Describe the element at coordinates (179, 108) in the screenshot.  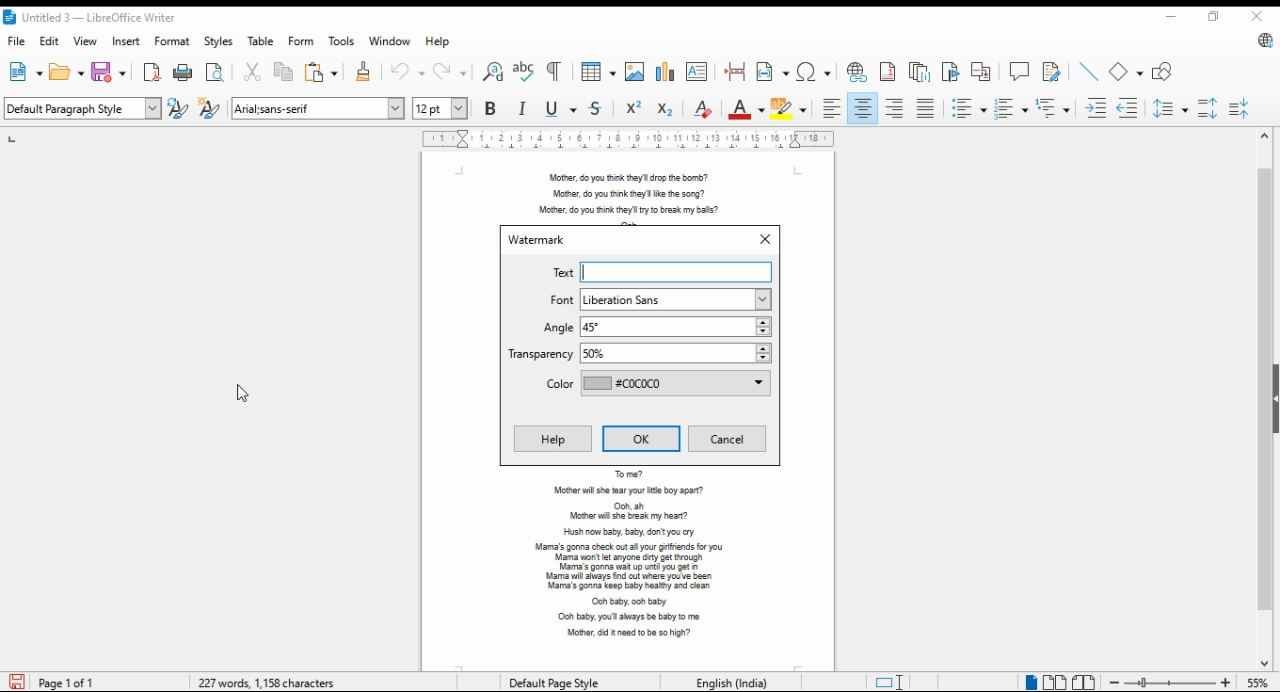
I see `update selected style` at that location.